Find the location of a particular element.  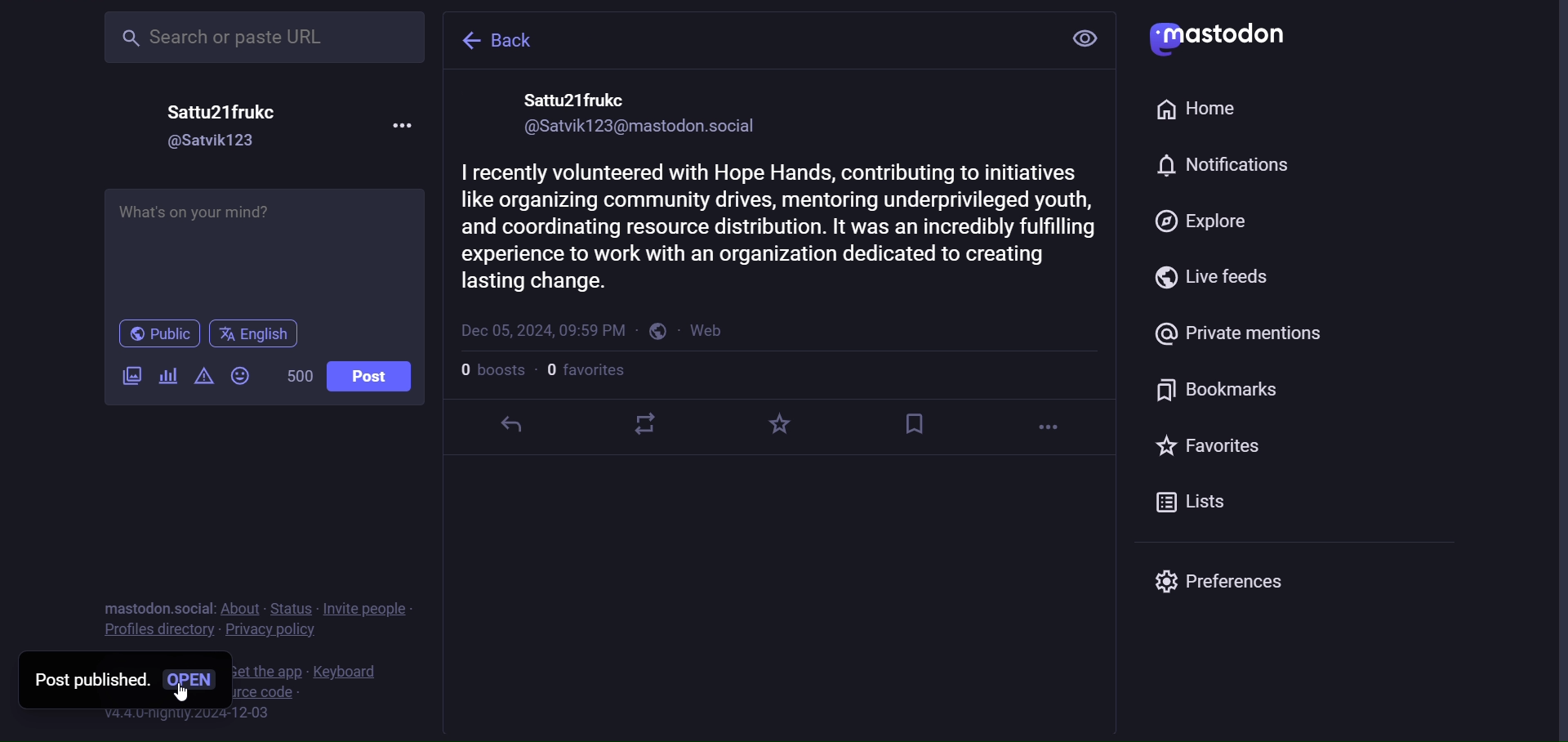

english is located at coordinates (258, 333).